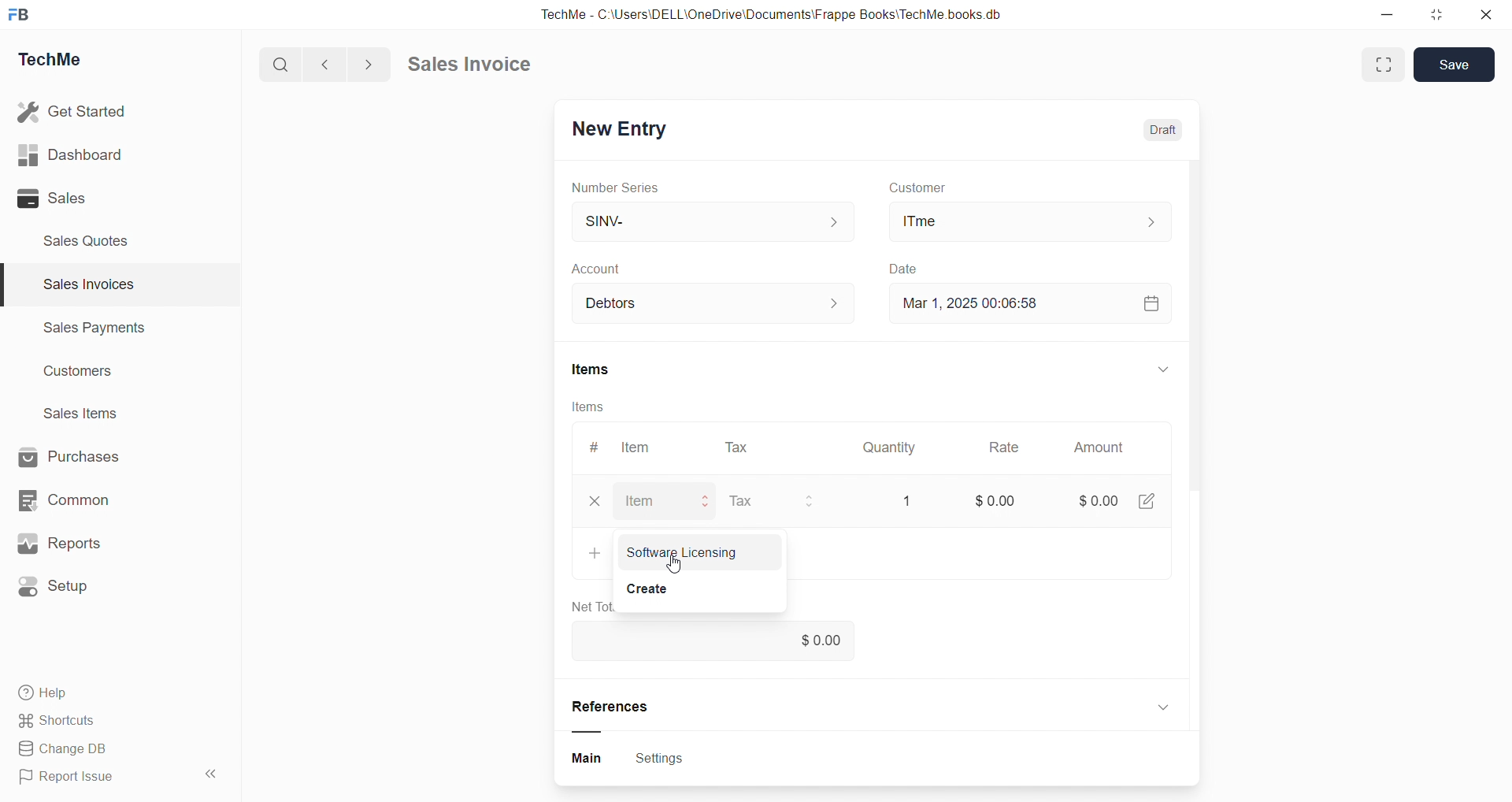 The image size is (1512, 802). I want to click on Mar 1, 2025 00:06:58, so click(980, 302).